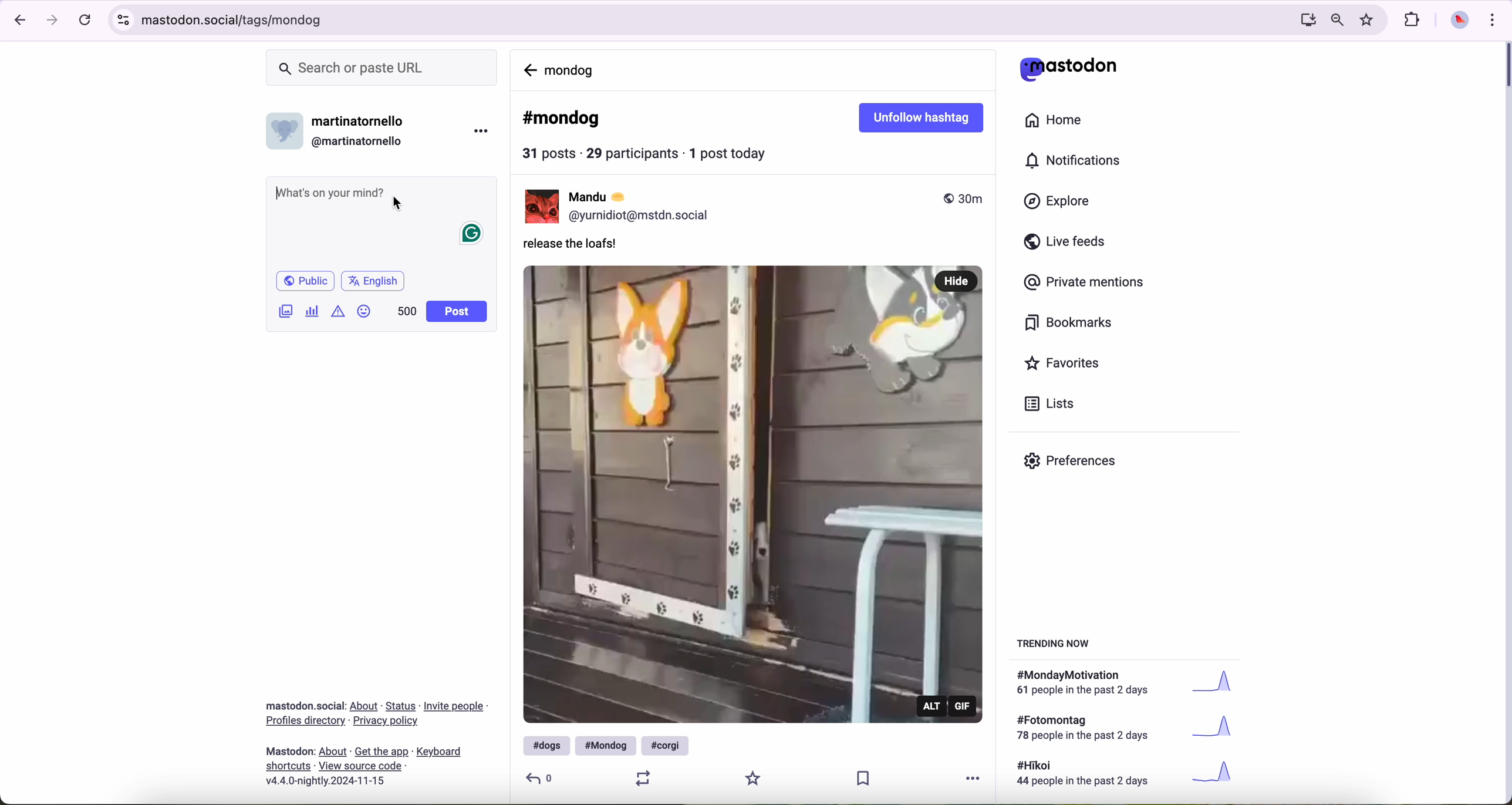 This screenshot has height=805, width=1512. Describe the element at coordinates (562, 119) in the screenshot. I see `#mondog` at that location.